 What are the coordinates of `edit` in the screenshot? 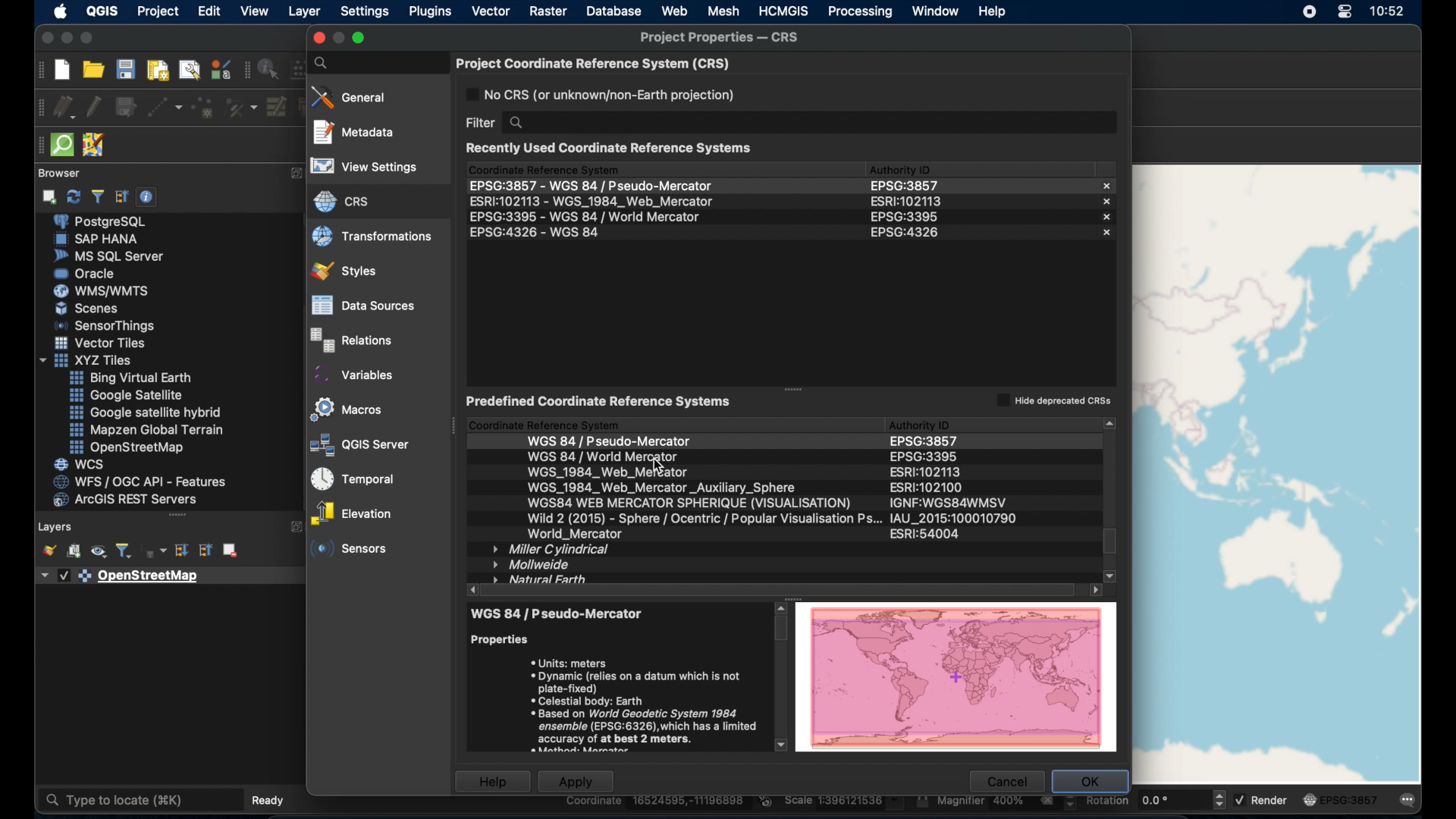 It's located at (209, 11).